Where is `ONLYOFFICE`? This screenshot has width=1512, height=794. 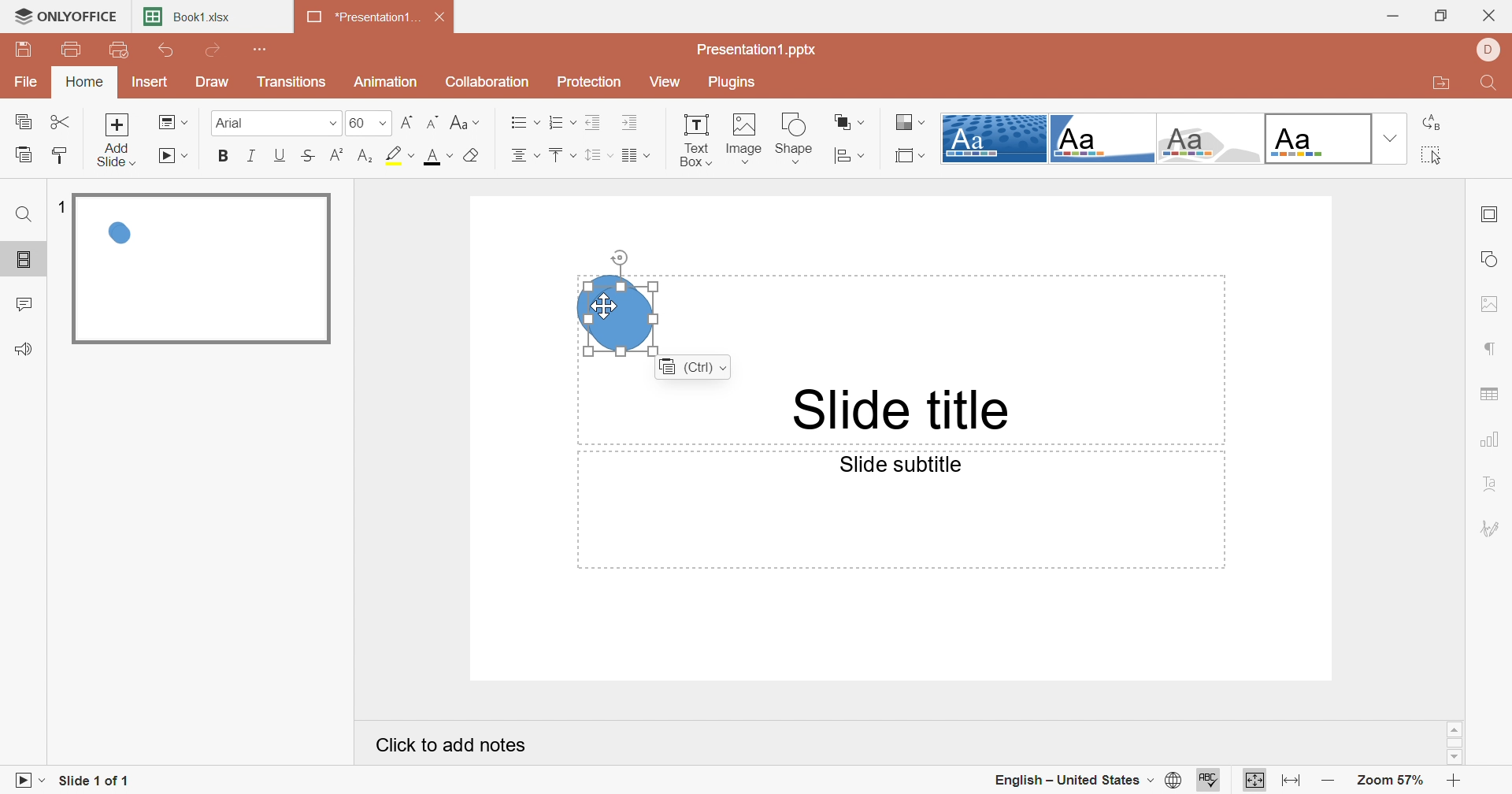
ONLYOFFICE is located at coordinates (65, 13).